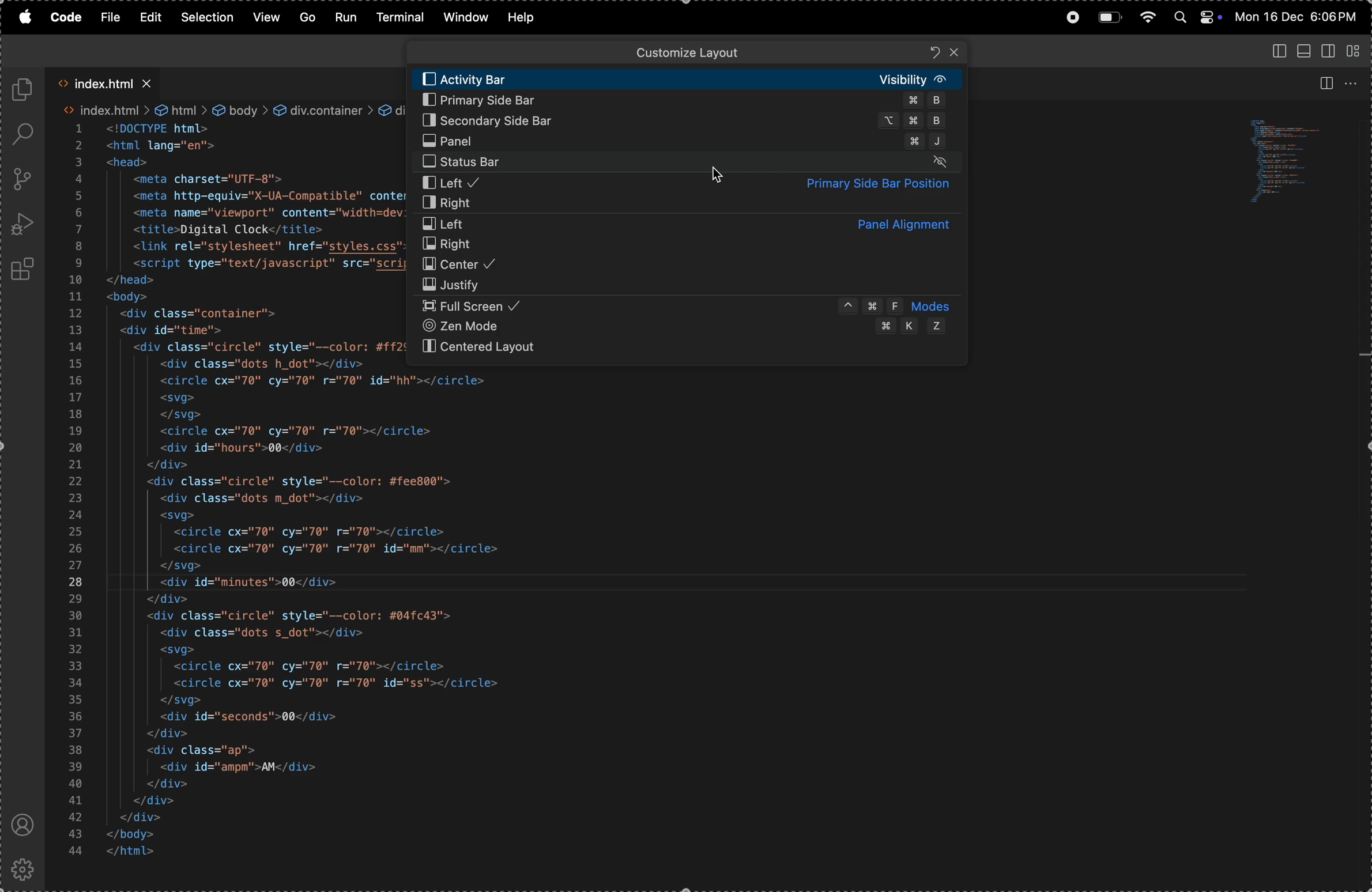 The width and height of the screenshot is (1372, 892). What do you see at coordinates (711, 51) in the screenshot?
I see `search bar` at bounding box center [711, 51].